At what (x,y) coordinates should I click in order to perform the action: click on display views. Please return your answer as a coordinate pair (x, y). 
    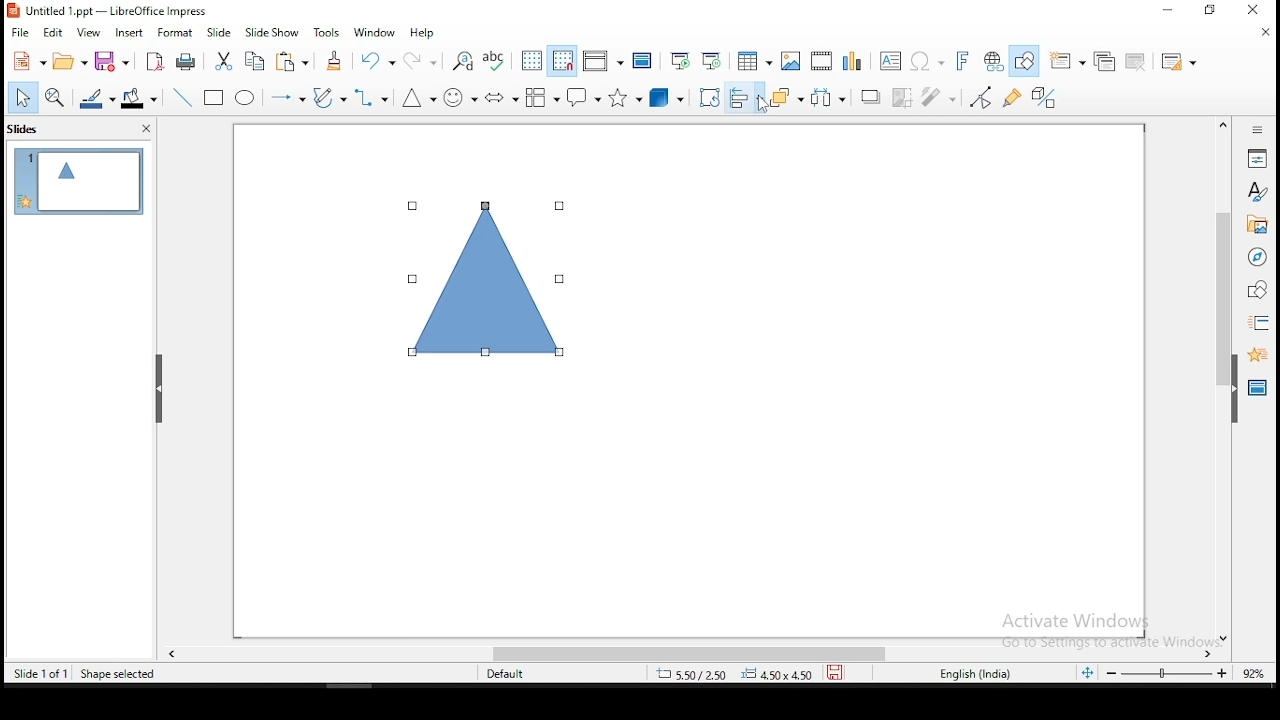
    Looking at the image, I should click on (601, 62).